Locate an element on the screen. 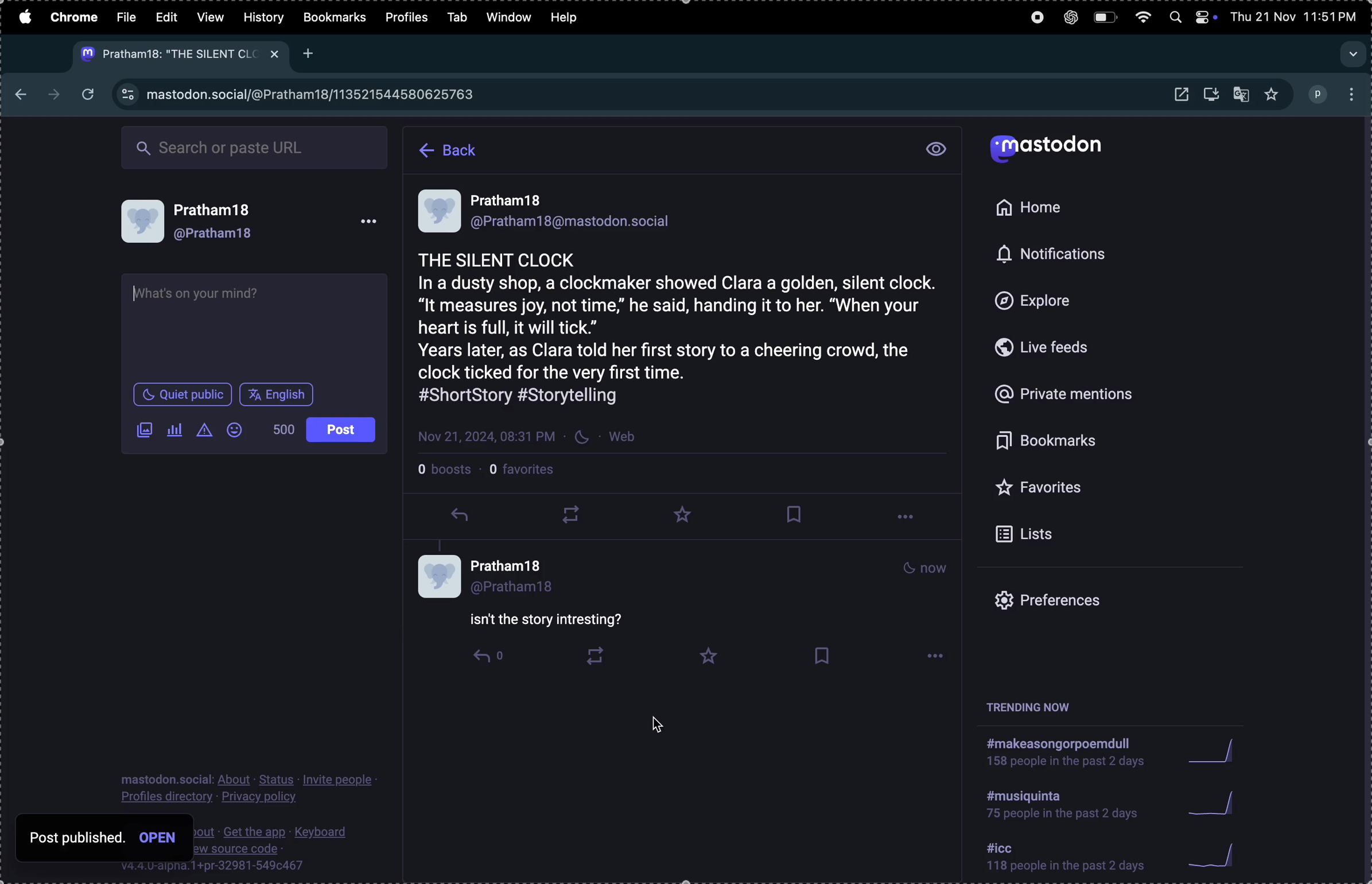 The width and height of the screenshot is (1372, 884). open is located at coordinates (160, 839).